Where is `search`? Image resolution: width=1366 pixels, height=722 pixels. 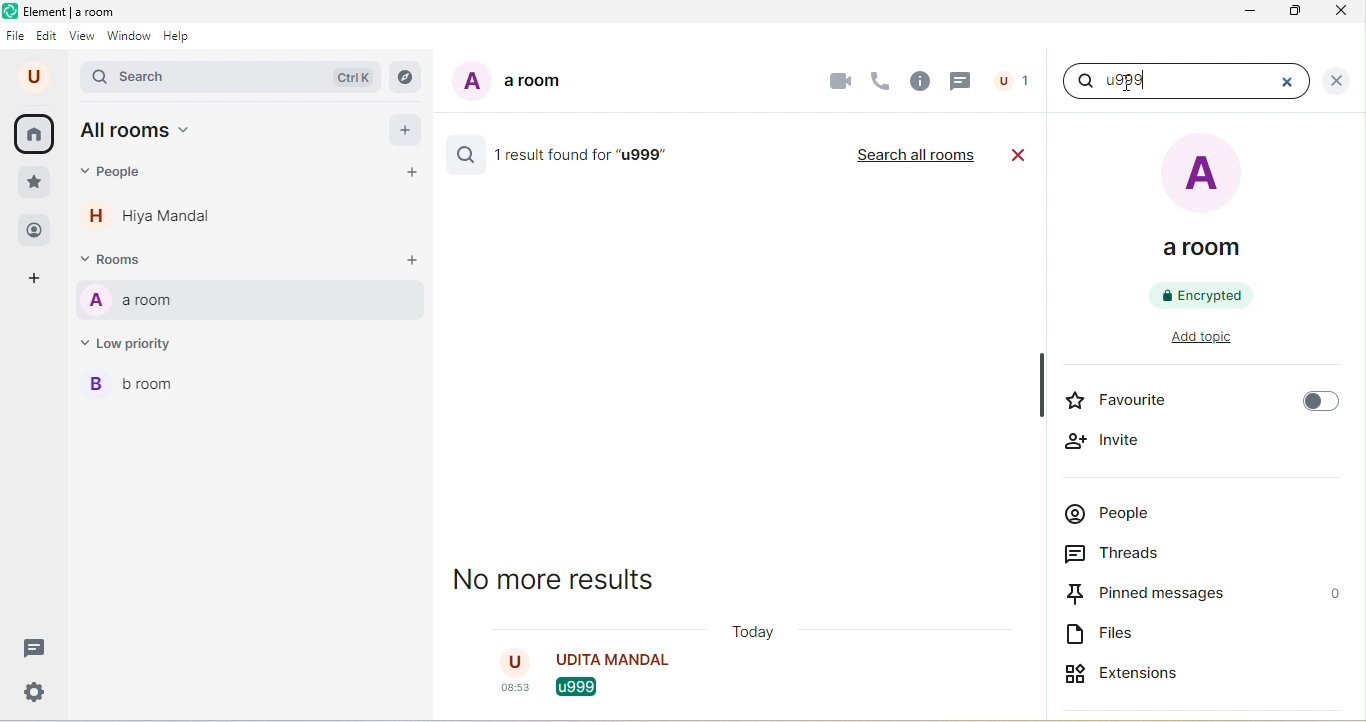
search is located at coordinates (463, 157).